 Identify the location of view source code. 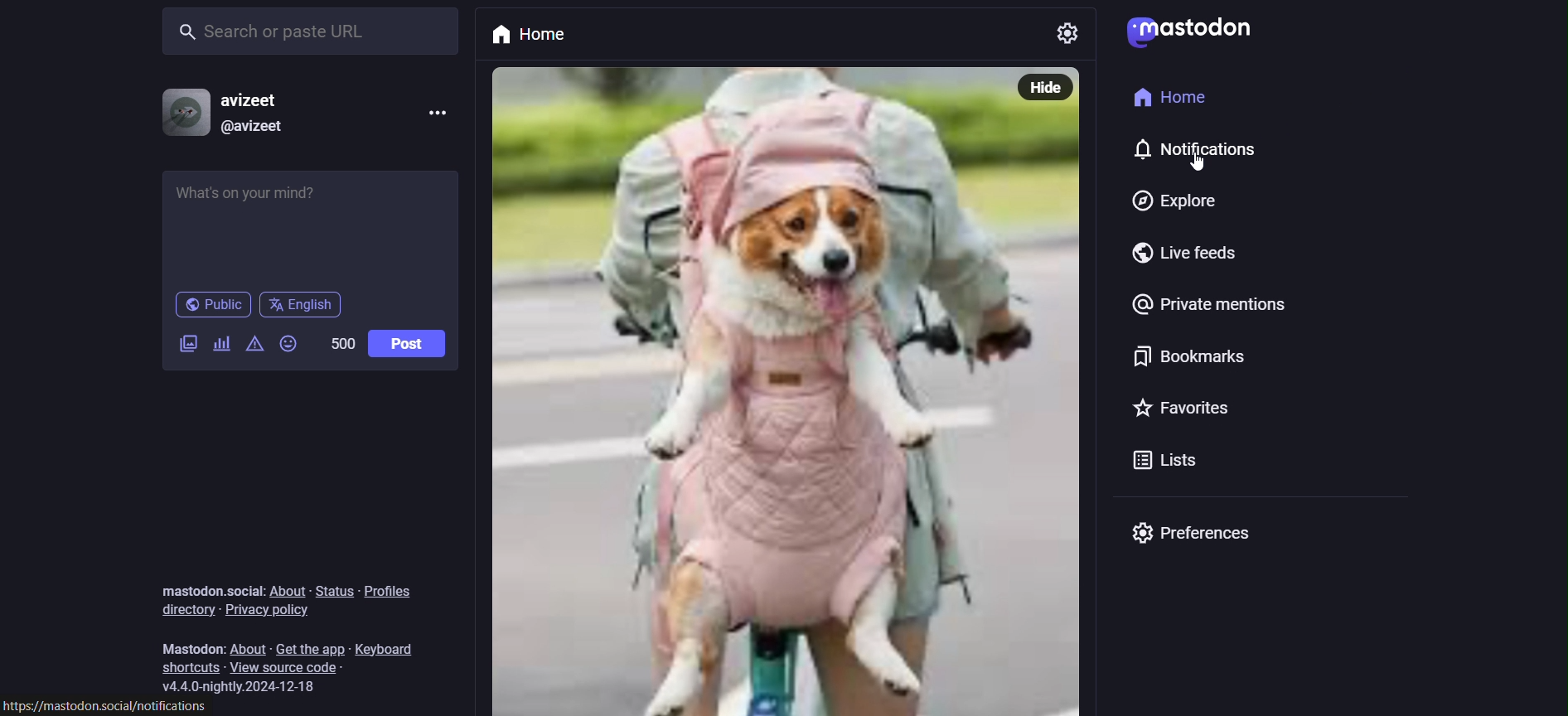
(298, 669).